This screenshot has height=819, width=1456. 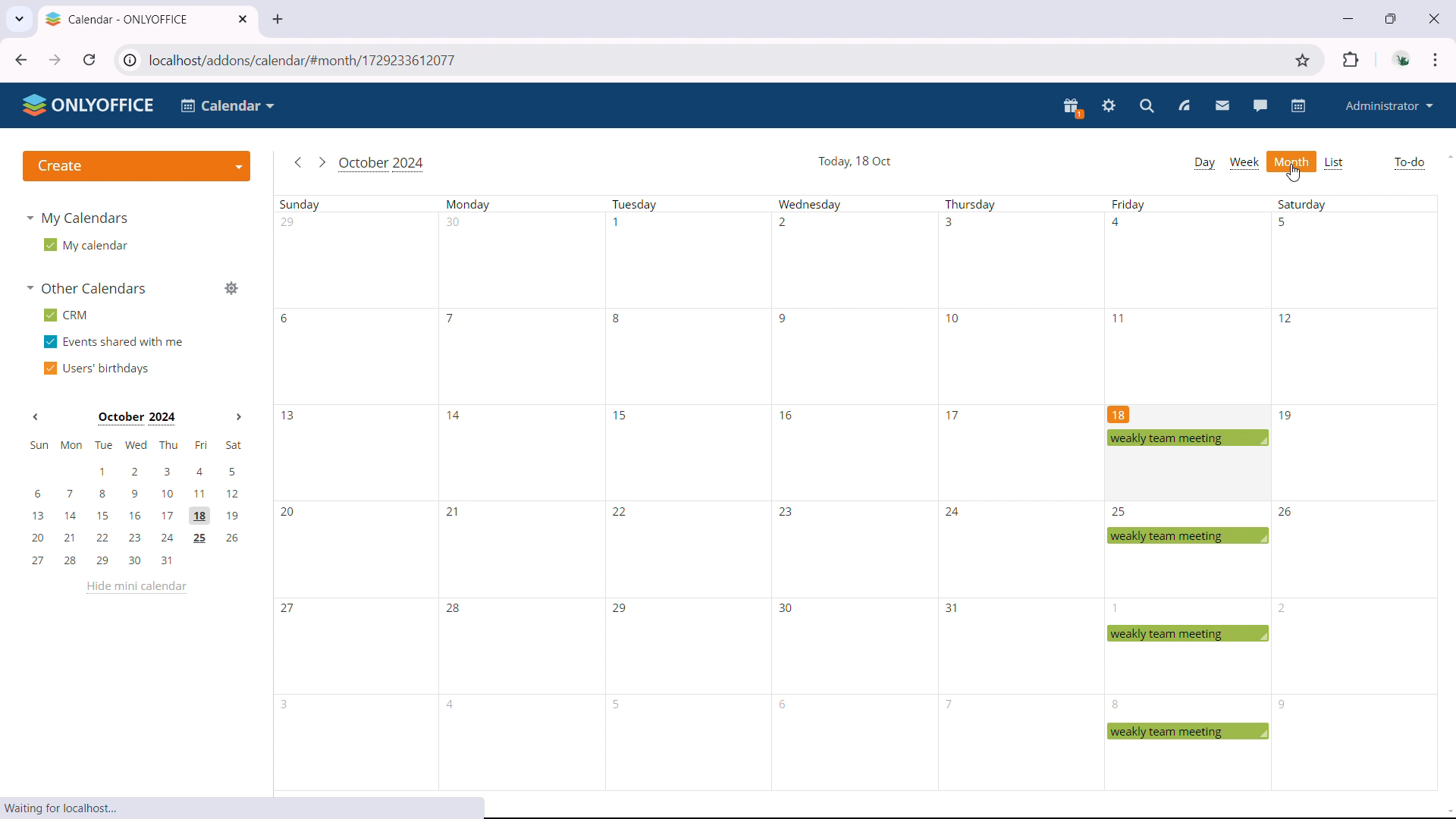 I want to click on close, so click(x=1433, y=18).